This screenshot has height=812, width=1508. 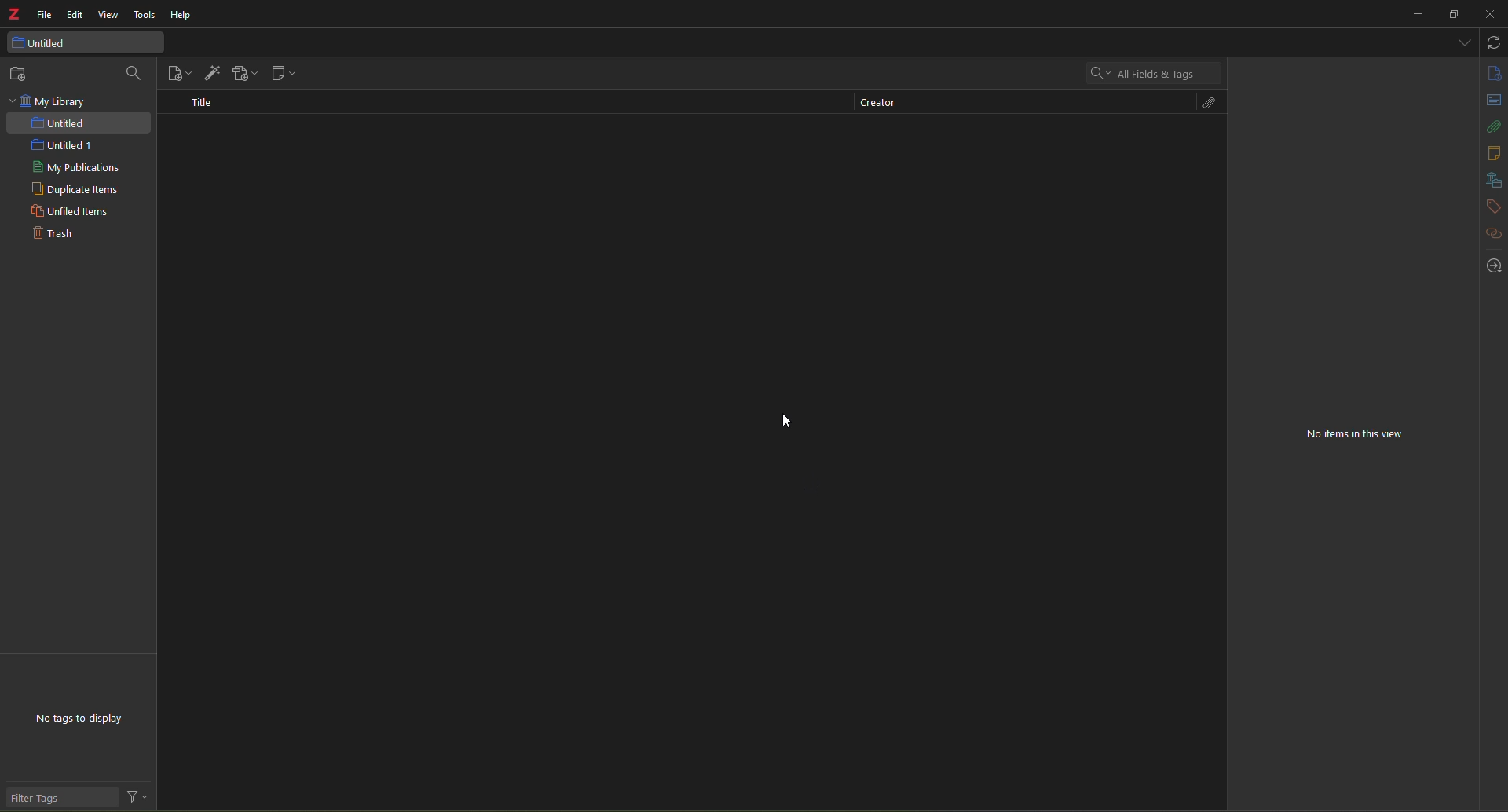 I want to click on add item, so click(x=210, y=71).